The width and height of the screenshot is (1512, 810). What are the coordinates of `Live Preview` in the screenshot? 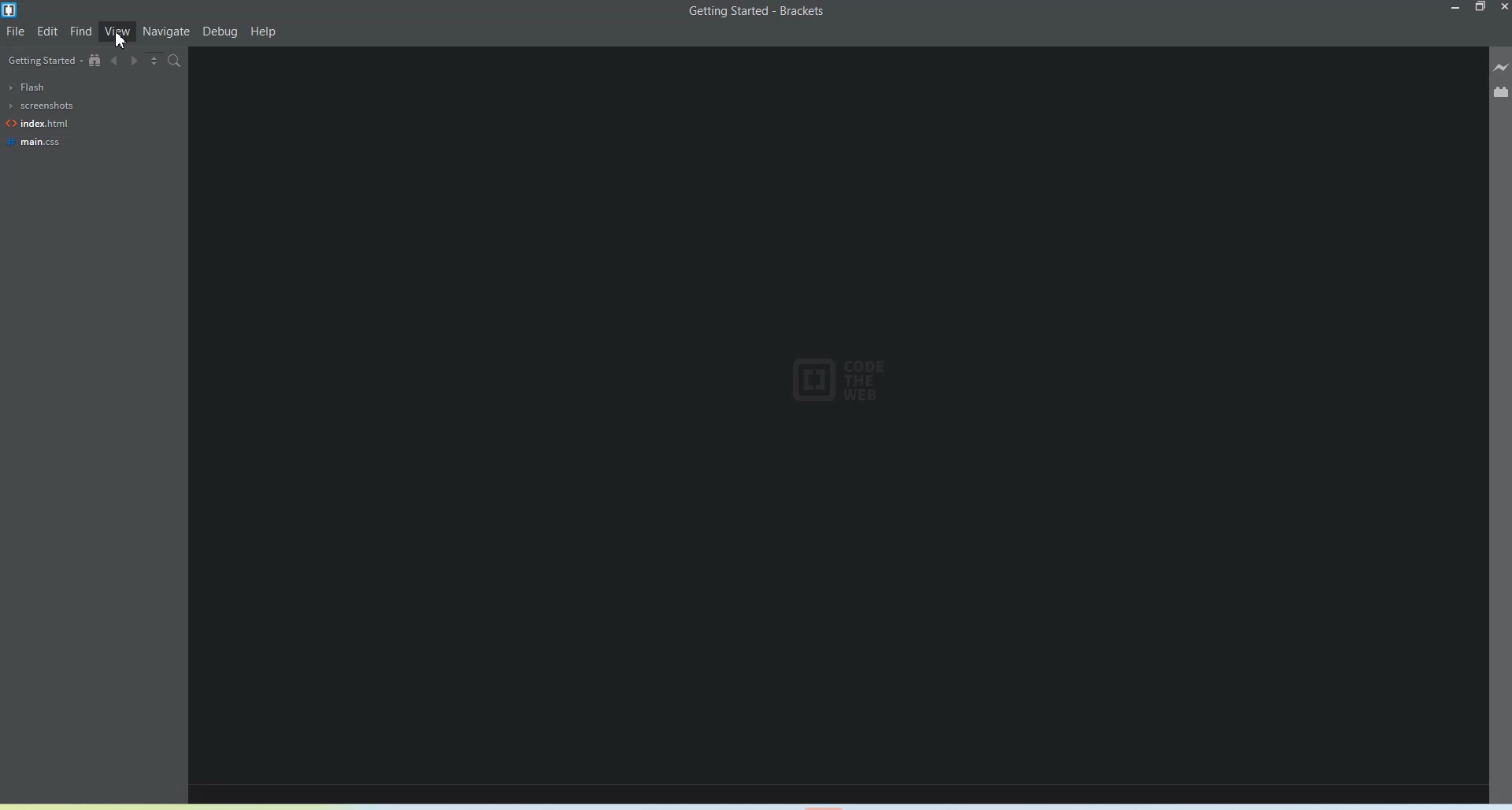 It's located at (1501, 66).